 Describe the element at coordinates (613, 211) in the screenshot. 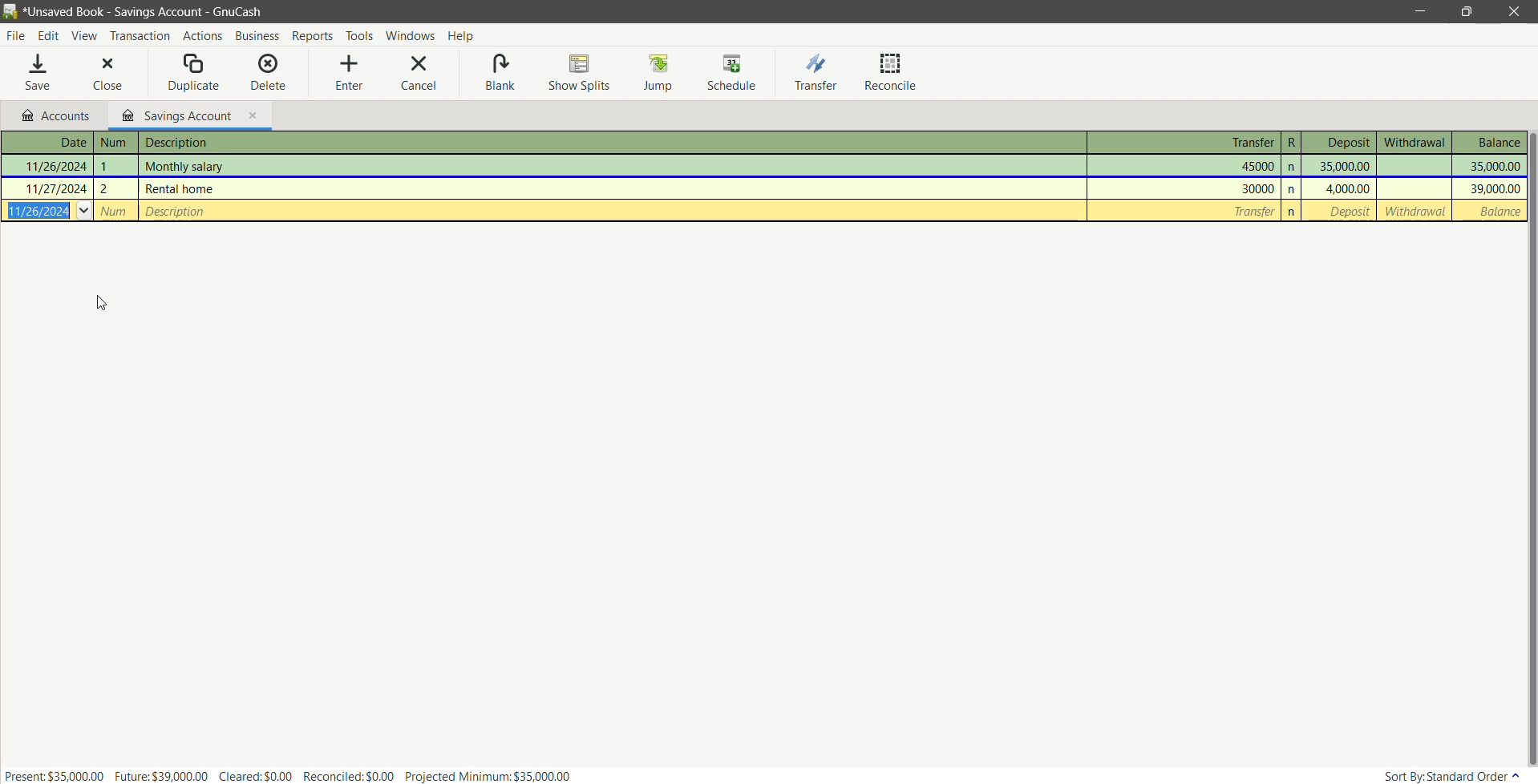

I see `Description` at that location.